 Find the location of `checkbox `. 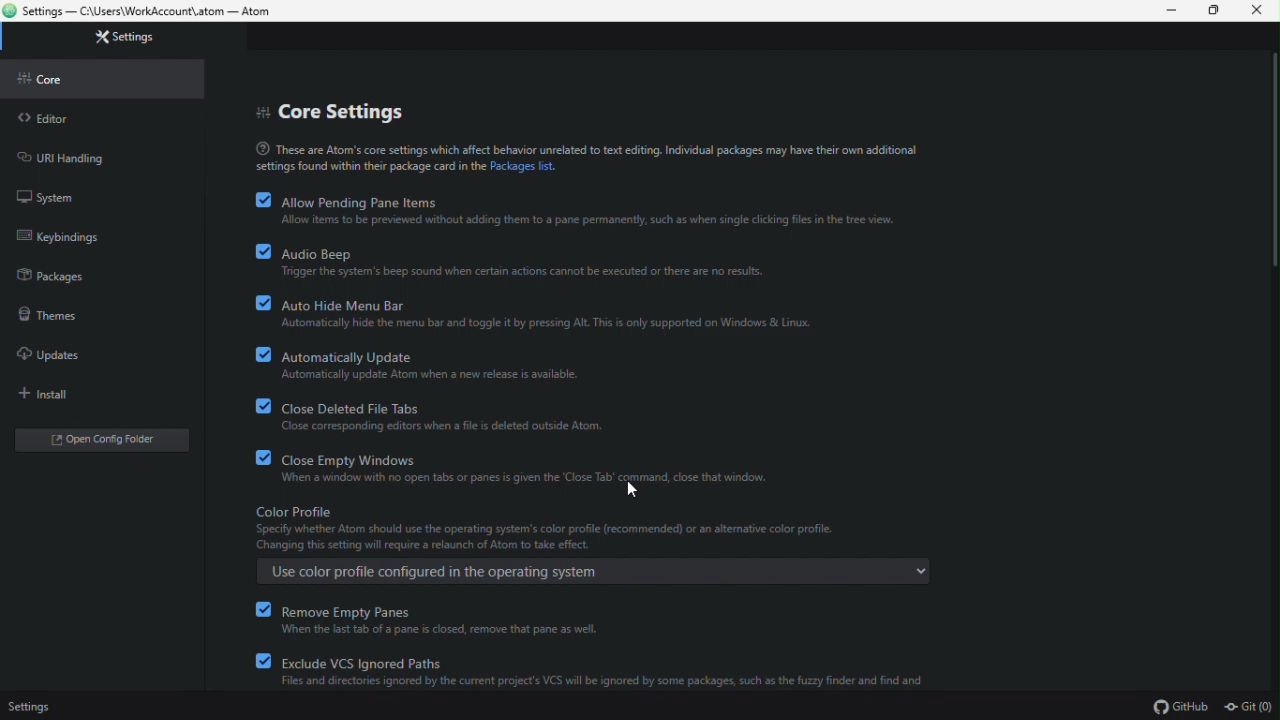

checkbox  is located at coordinates (261, 609).